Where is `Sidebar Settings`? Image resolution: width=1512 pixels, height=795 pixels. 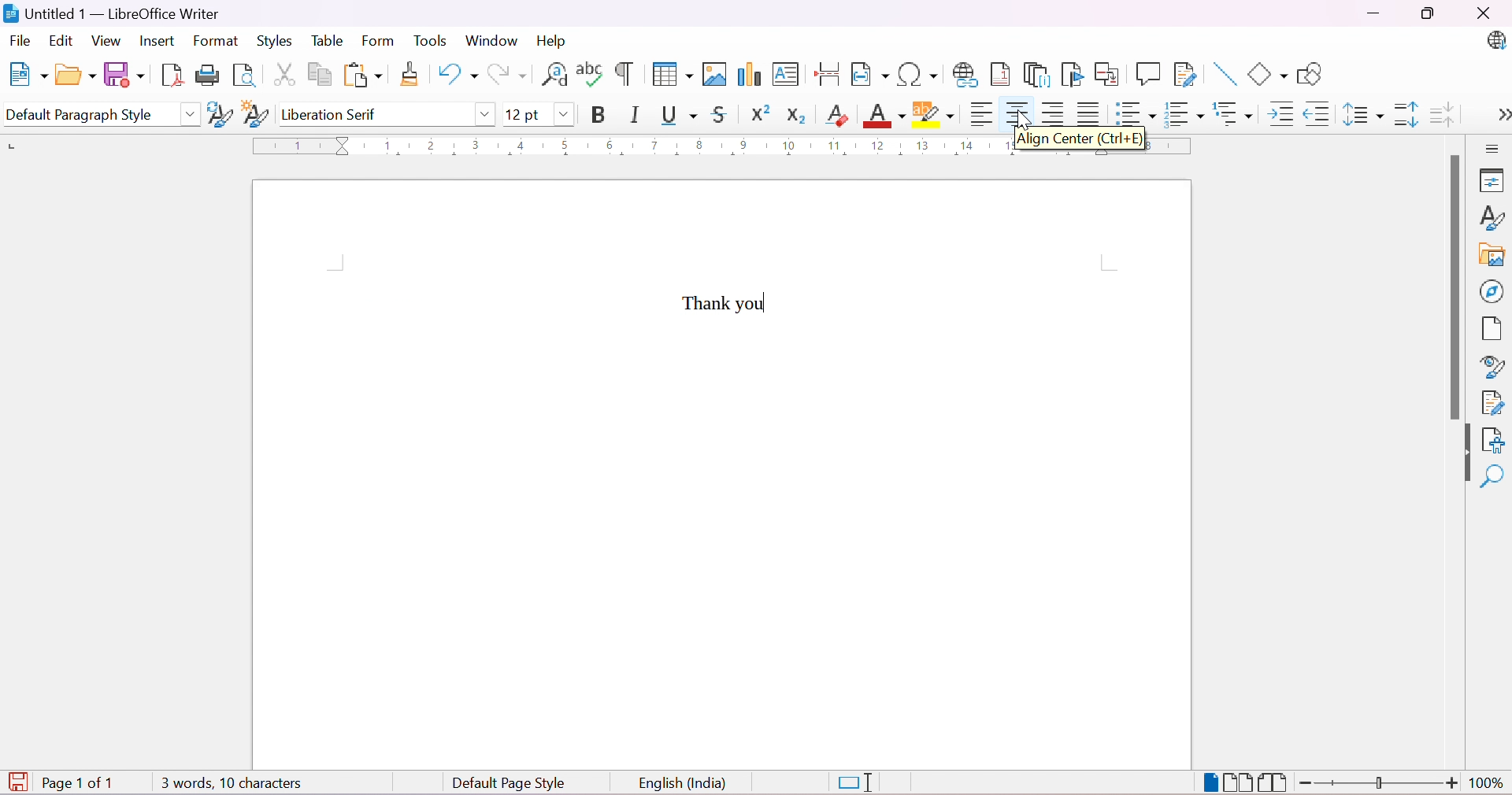 Sidebar Settings is located at coordinates (1496, 149).